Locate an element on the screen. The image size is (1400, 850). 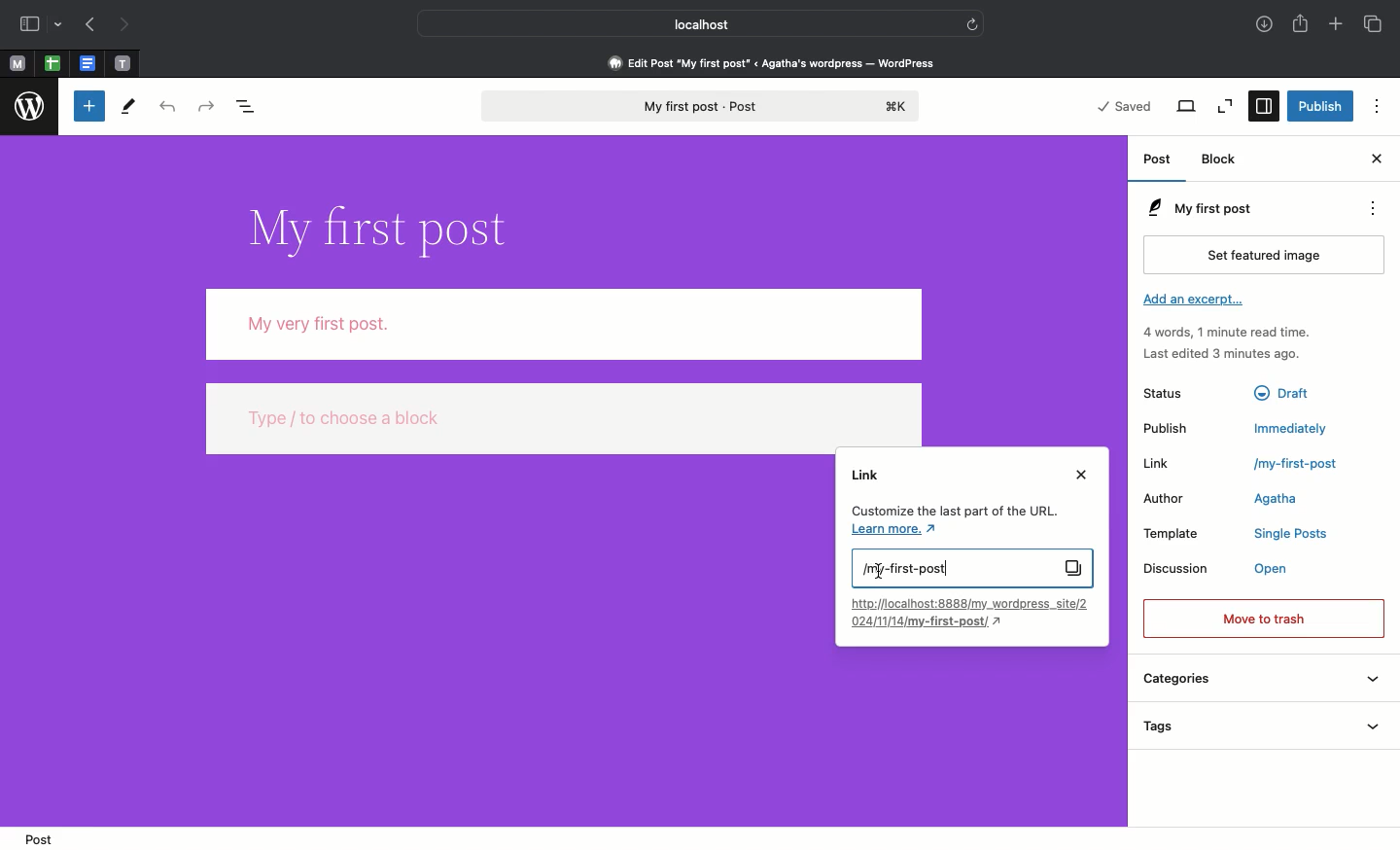
Sidebar is located at coordinates (28, 23).